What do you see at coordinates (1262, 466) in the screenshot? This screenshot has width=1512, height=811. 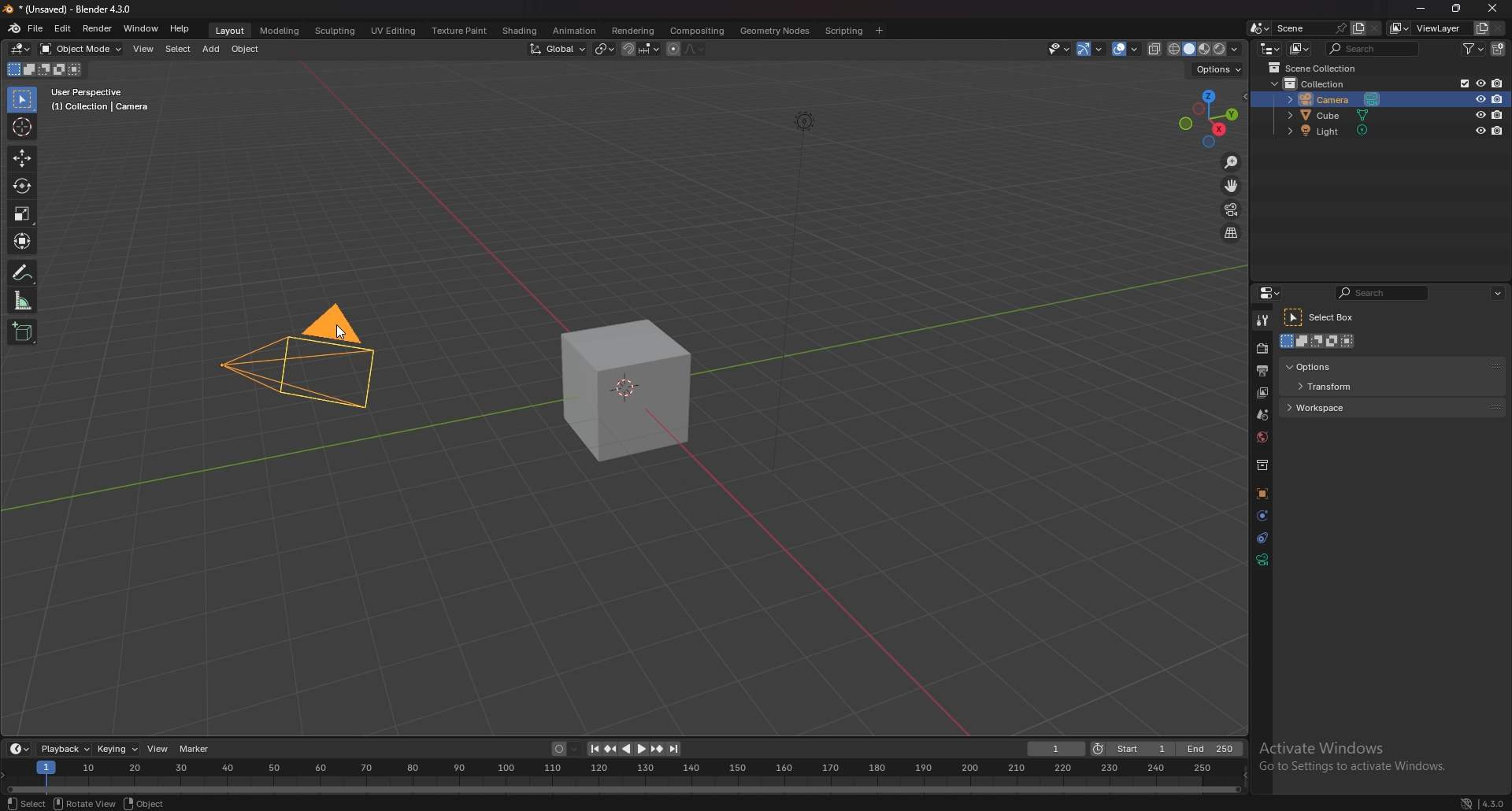 I see `collections` at bounding box center [1262, 466].